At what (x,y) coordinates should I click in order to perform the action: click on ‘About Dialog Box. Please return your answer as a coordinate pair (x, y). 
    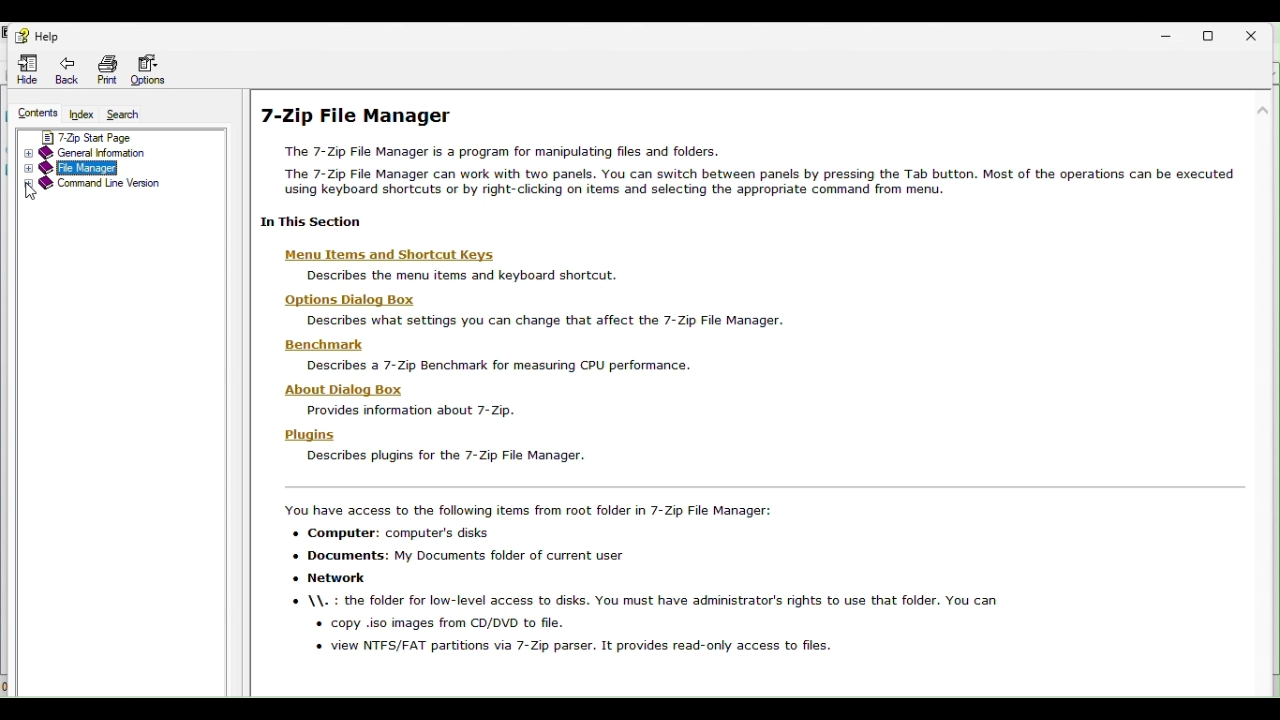
    Looking at the image, I should click on (343, 390).